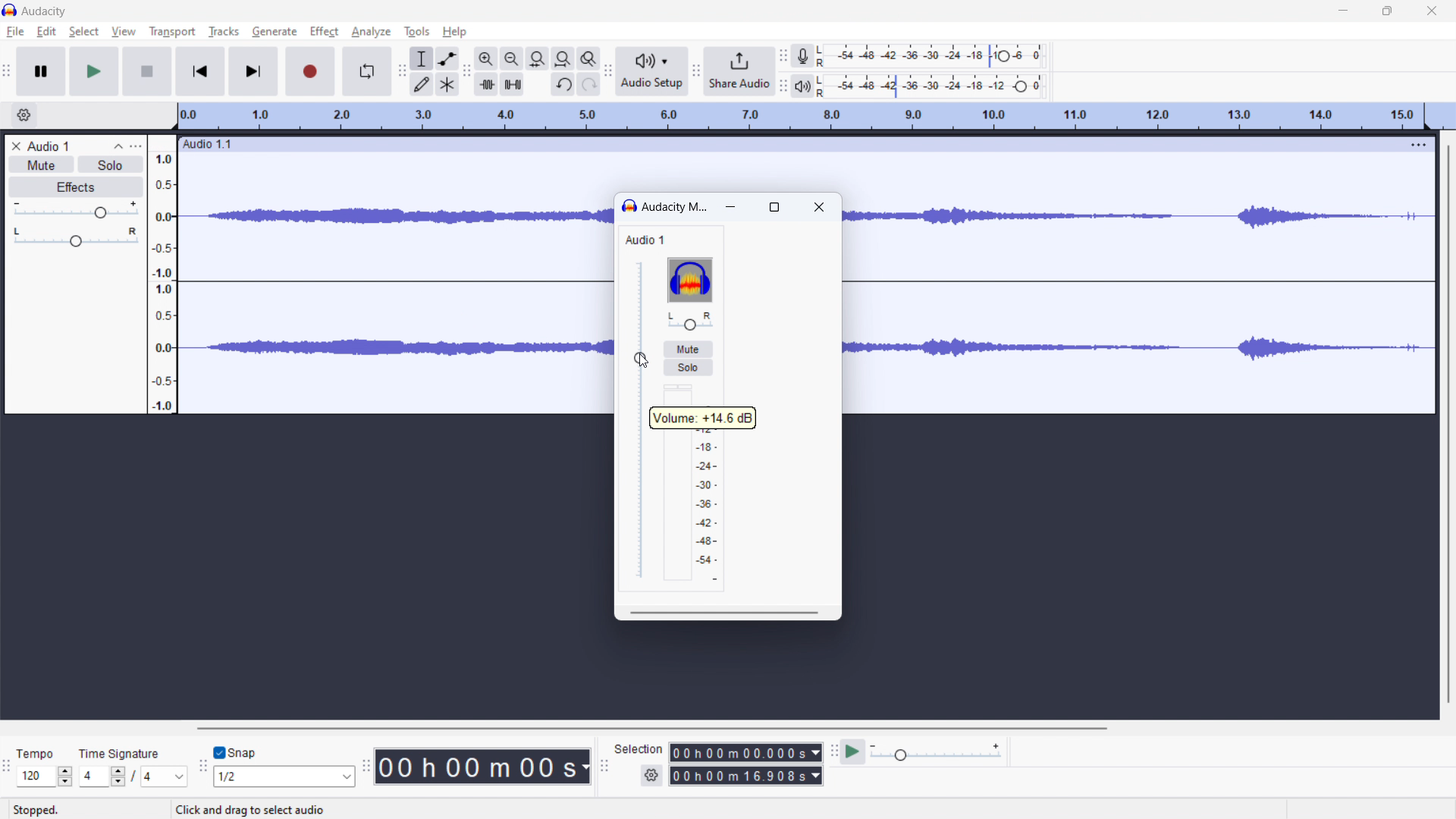 The height and width of the screenshot is (819, 1456). What do you see at coordinates (366, 71) in the screenshot?
I see `enable looping` at bounding box center [366, 71].